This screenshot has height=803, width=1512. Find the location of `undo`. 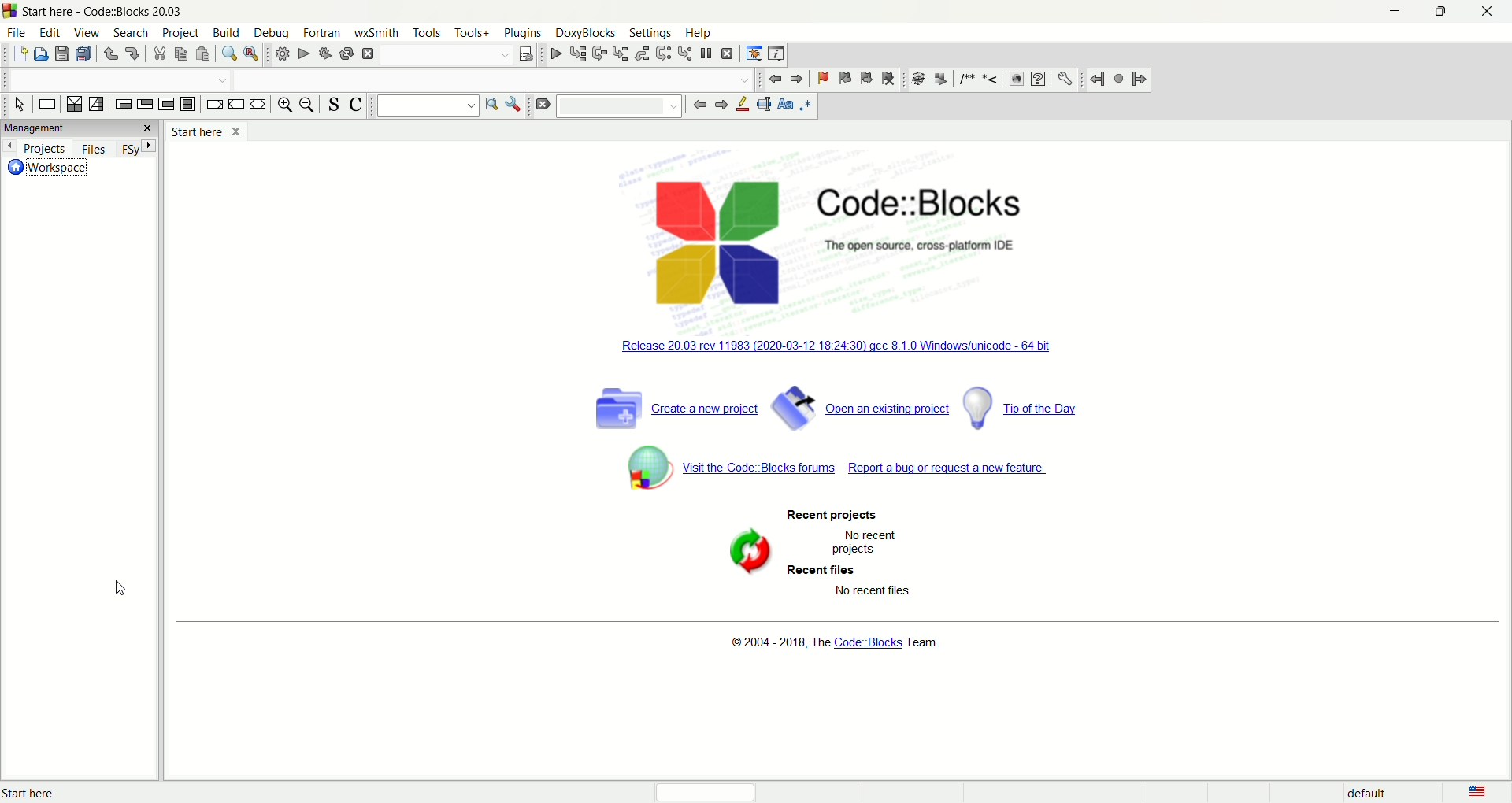

undo is located at coordinates (110, 53).